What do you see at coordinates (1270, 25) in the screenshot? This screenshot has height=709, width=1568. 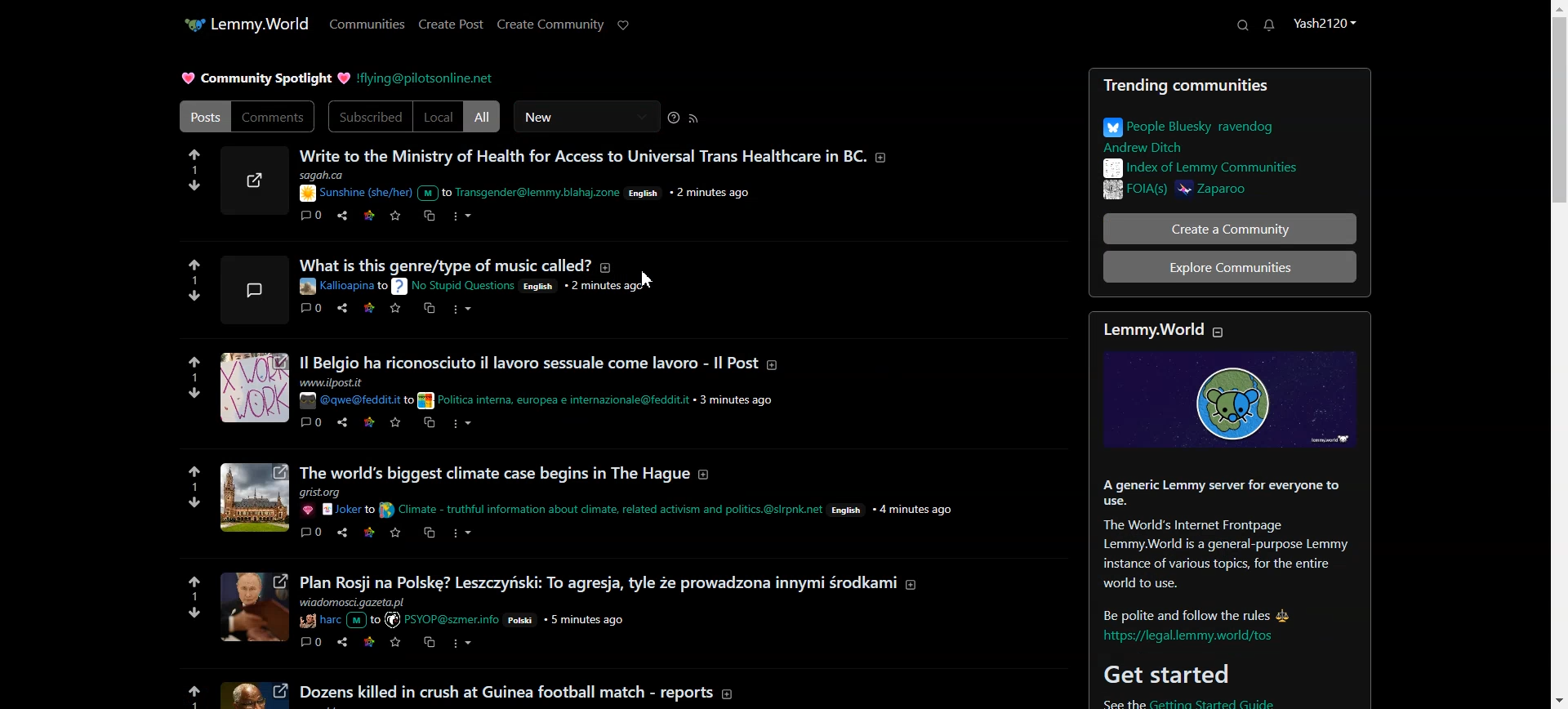 I see `Unread Message` at bounding box center [1270, 25].